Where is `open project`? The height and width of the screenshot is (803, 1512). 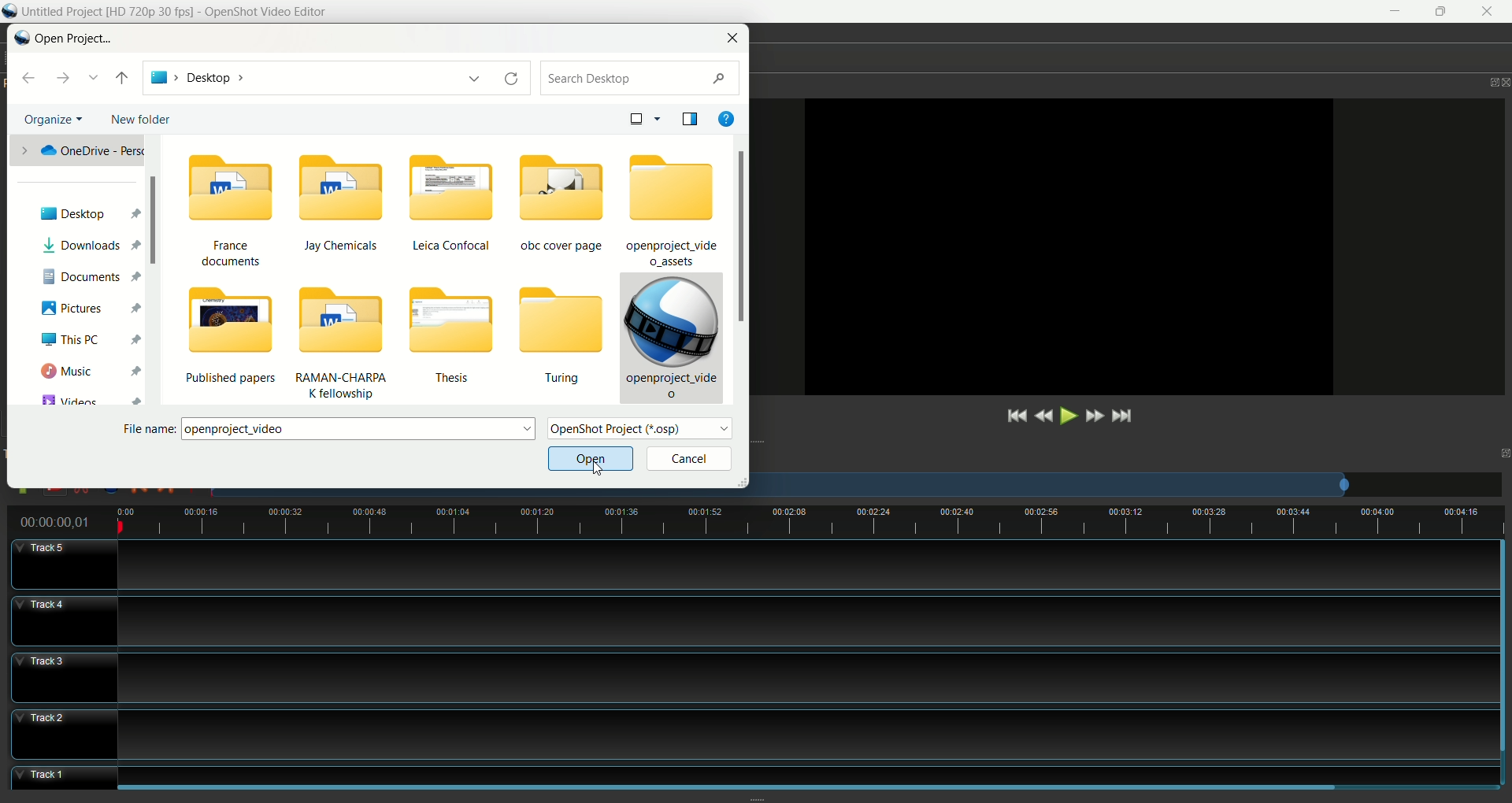 open project is located at coordinates (72, 40).